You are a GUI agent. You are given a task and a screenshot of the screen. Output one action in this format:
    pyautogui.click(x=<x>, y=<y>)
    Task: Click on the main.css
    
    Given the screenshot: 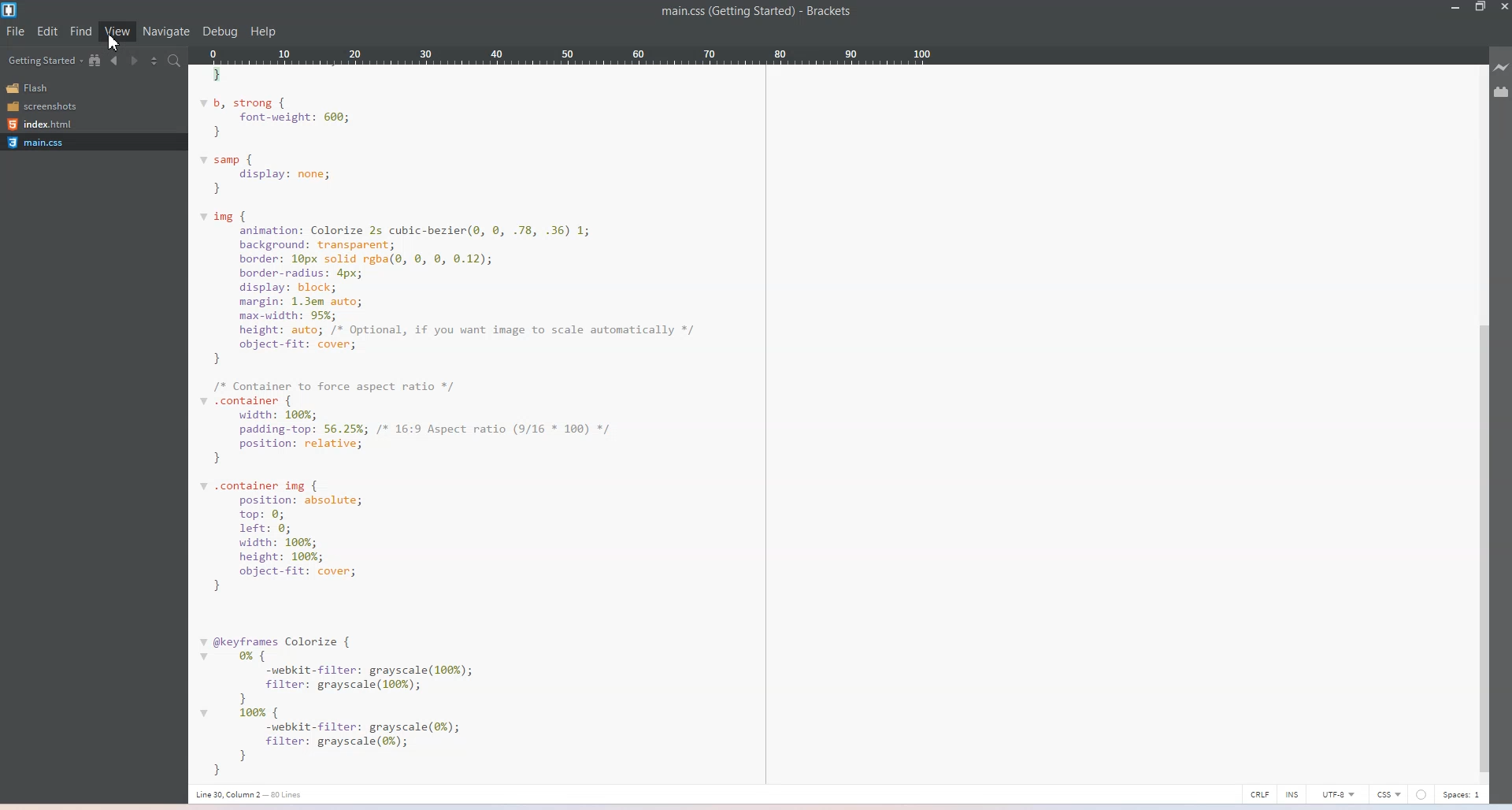 What is the action you would take?
    pyautogui.click(x=92, y=142)
    